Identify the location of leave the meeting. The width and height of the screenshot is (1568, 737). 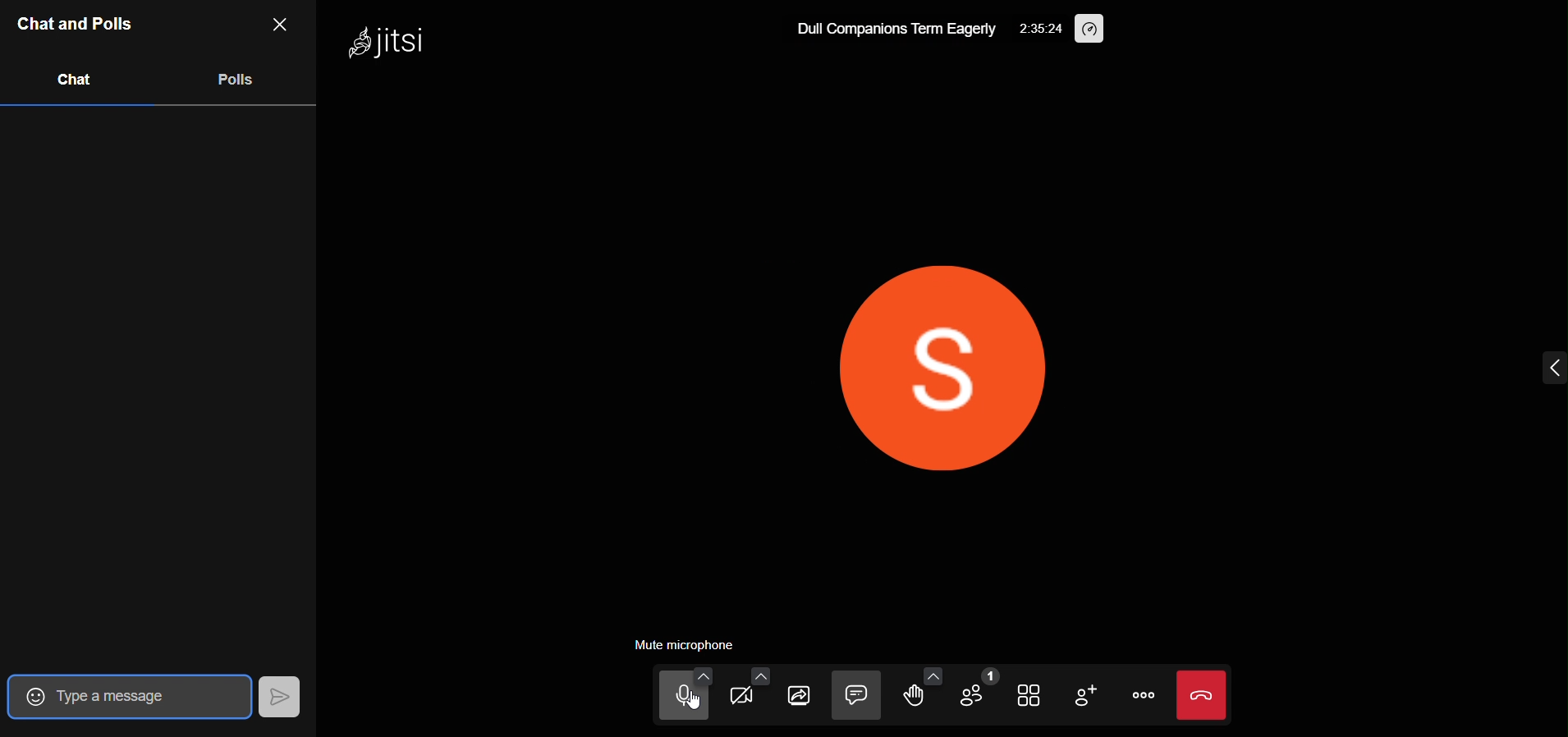
(1204, 695).